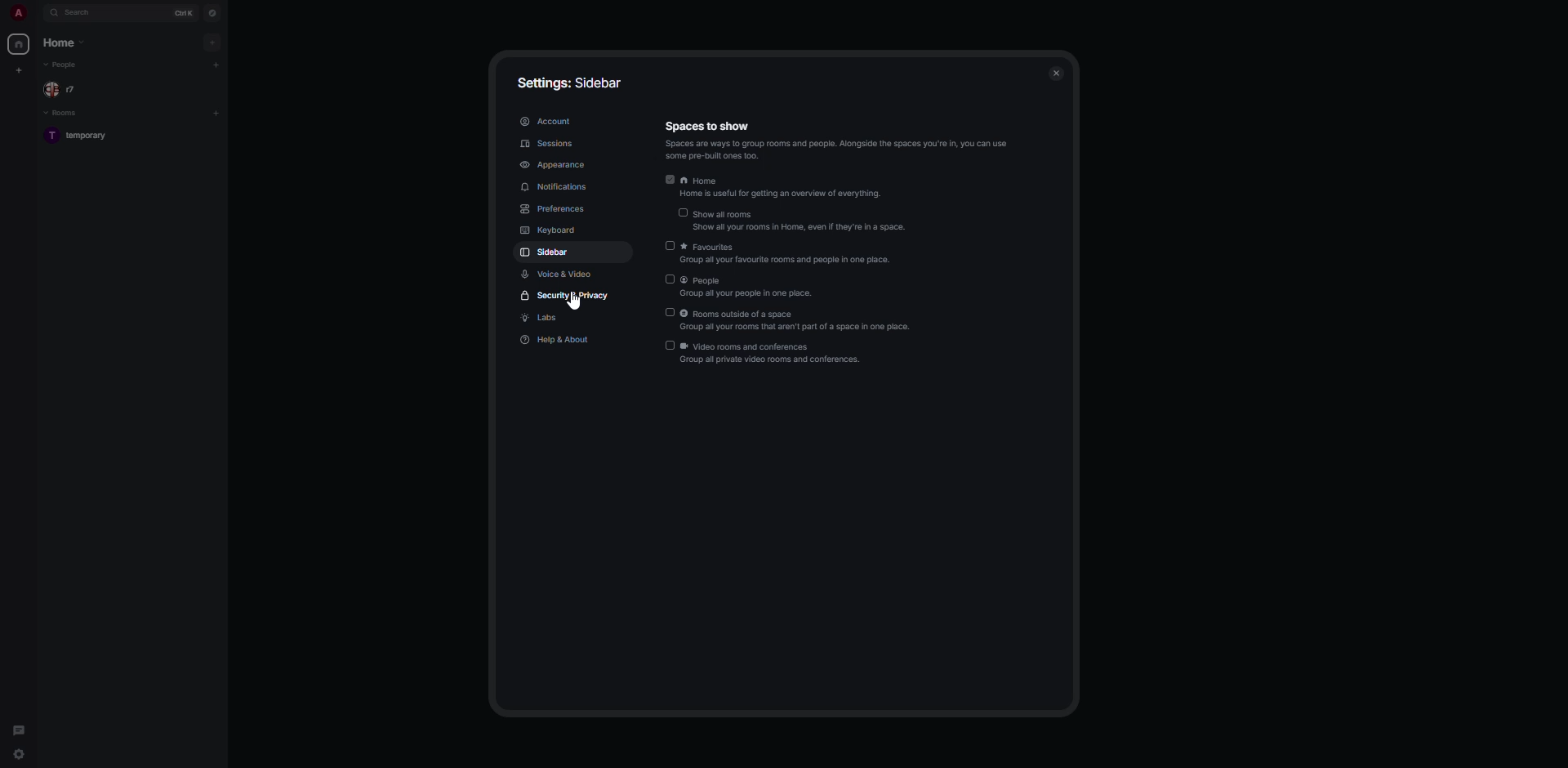 This screenshot has height=768, width=1568. I want to click on appearance, so click(556, 166).